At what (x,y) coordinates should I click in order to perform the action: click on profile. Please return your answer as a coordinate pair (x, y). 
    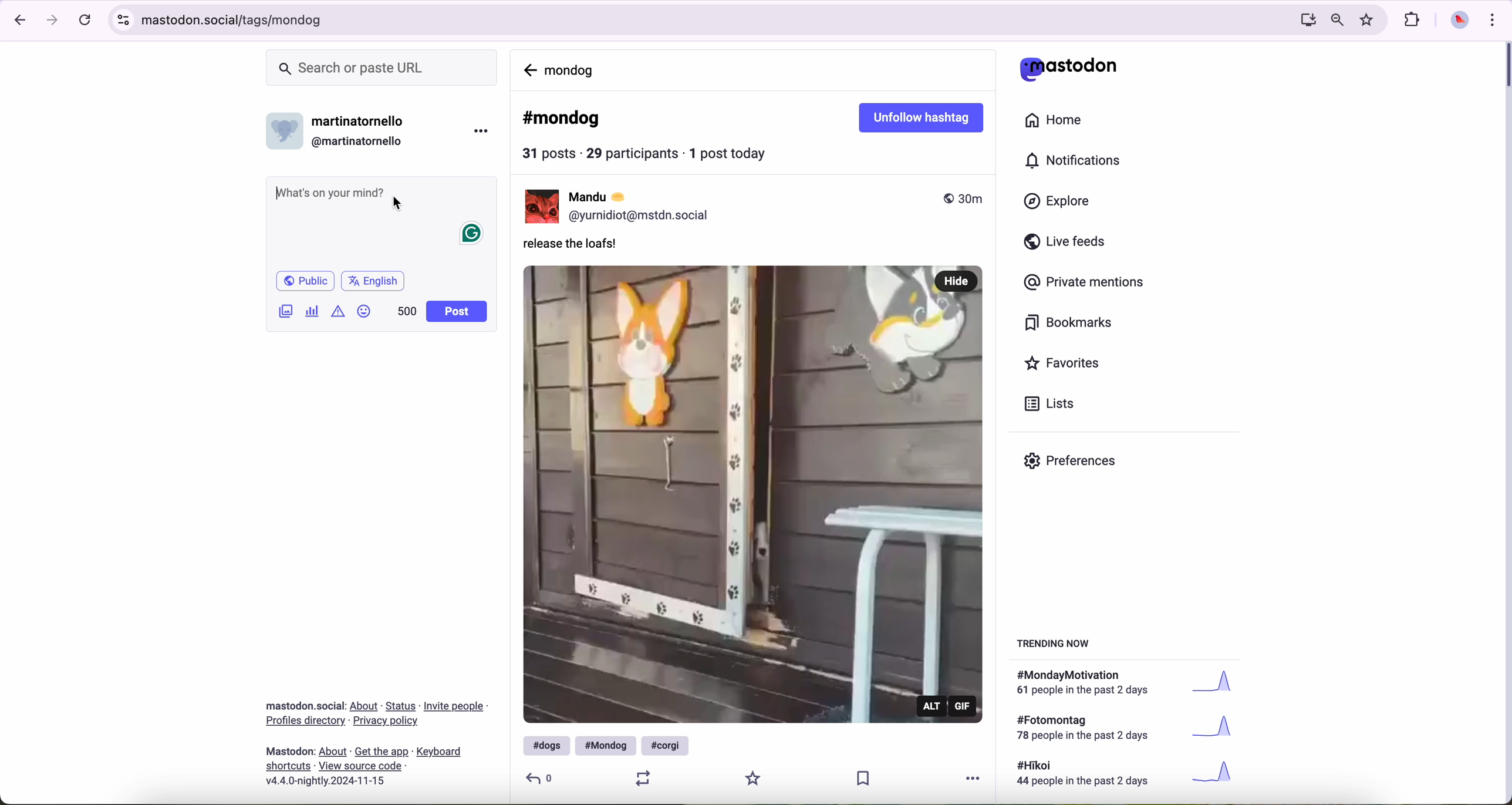
    Looking at the image, I should click on (285, 135).